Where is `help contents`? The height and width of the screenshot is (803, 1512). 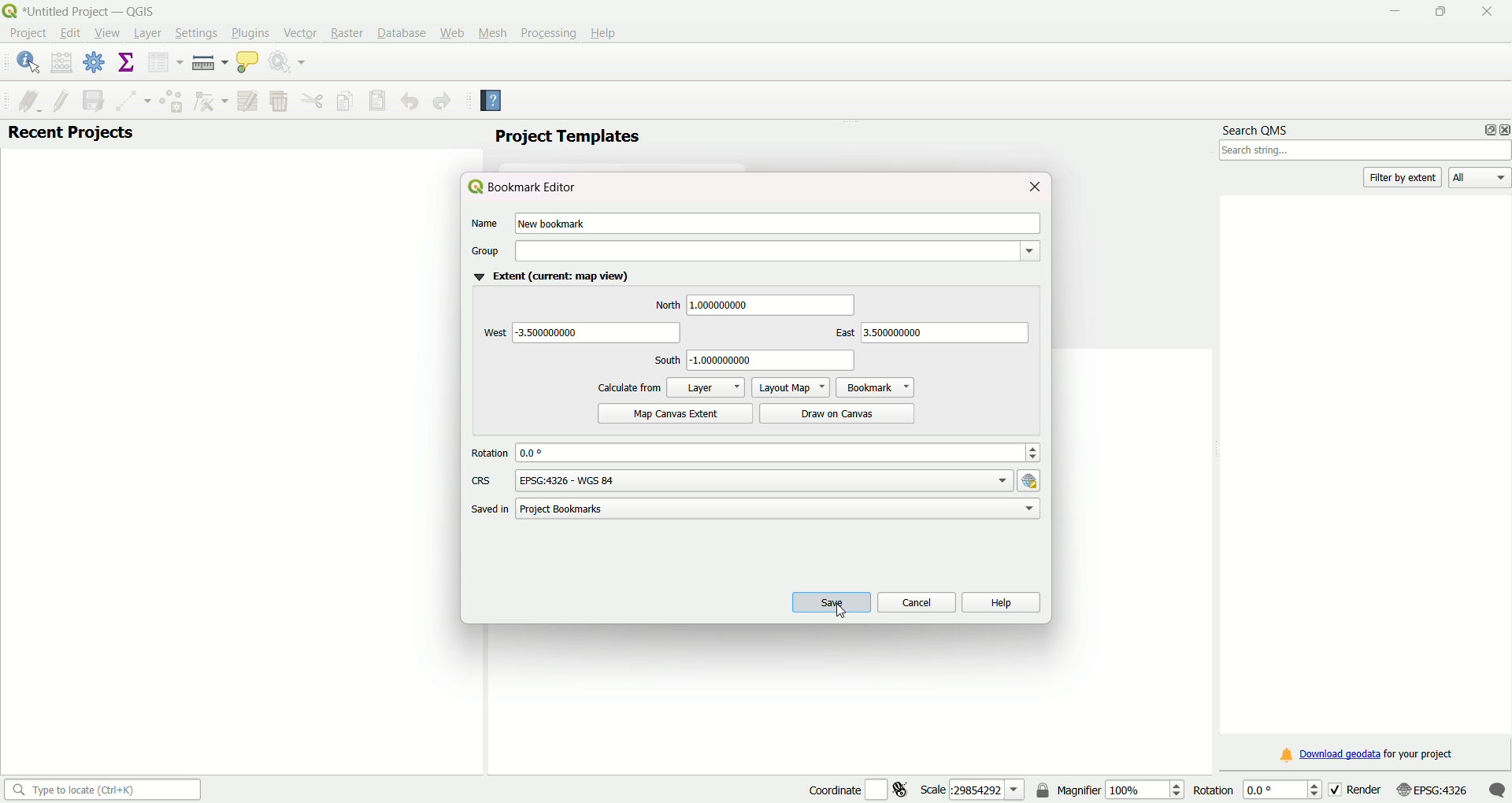 help contents is located at coordinates (492, 102).